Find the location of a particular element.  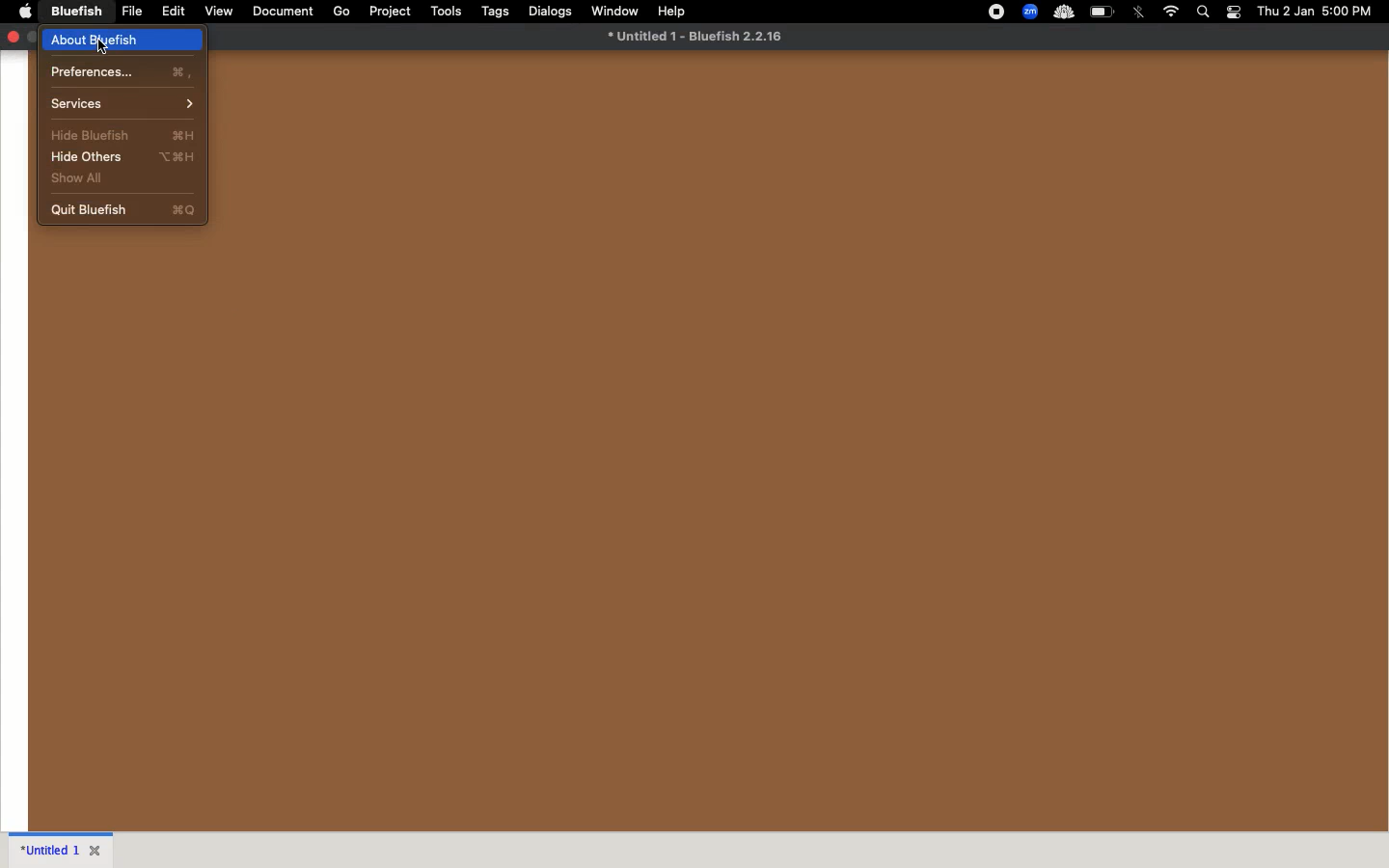

tags is located at coordinates (499, 12).